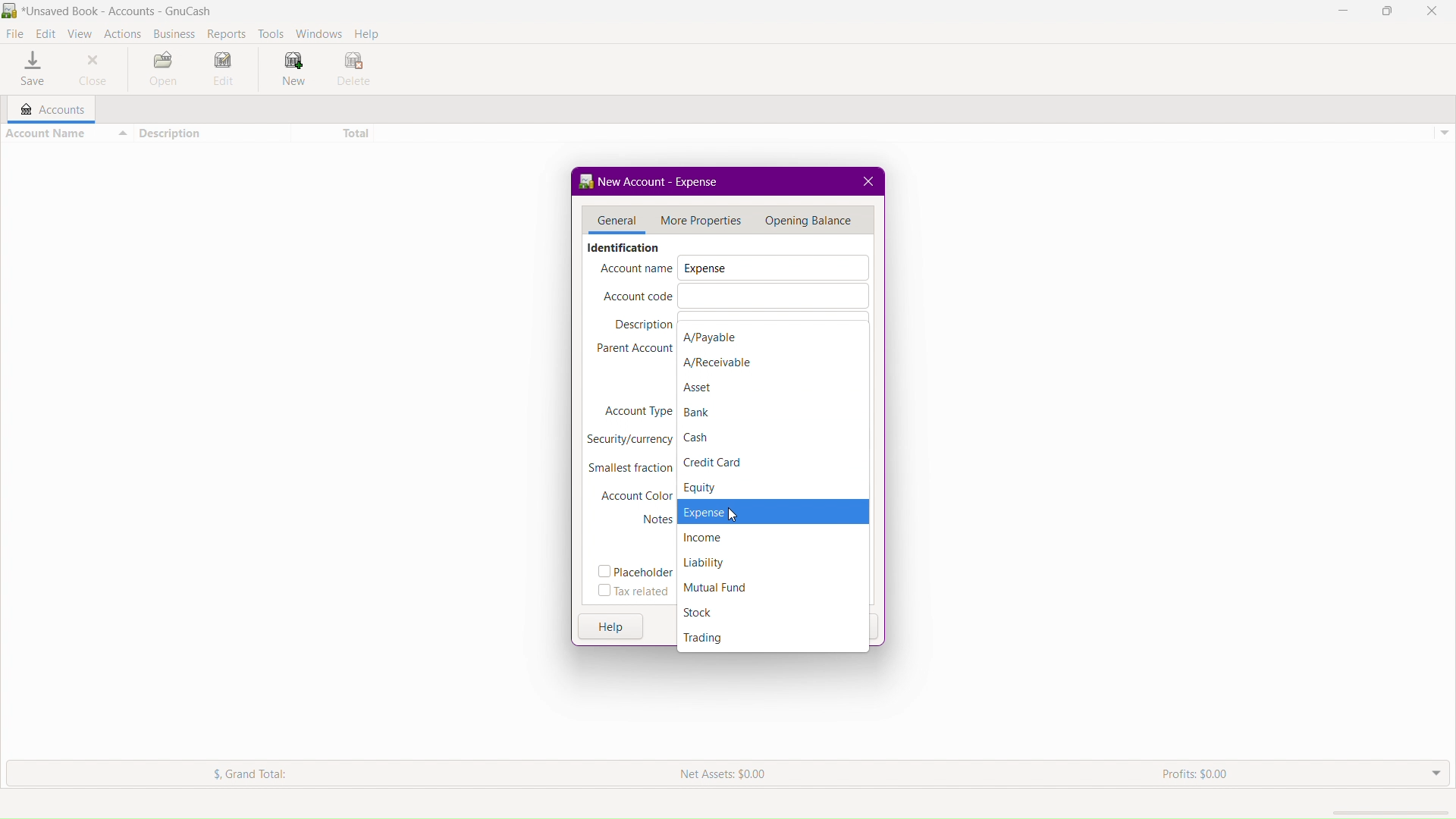 This screenshot has height=819, width=1456. Describe the element at coordinates (736, 334) in the screenshot. I see `A/Payable` at that location.